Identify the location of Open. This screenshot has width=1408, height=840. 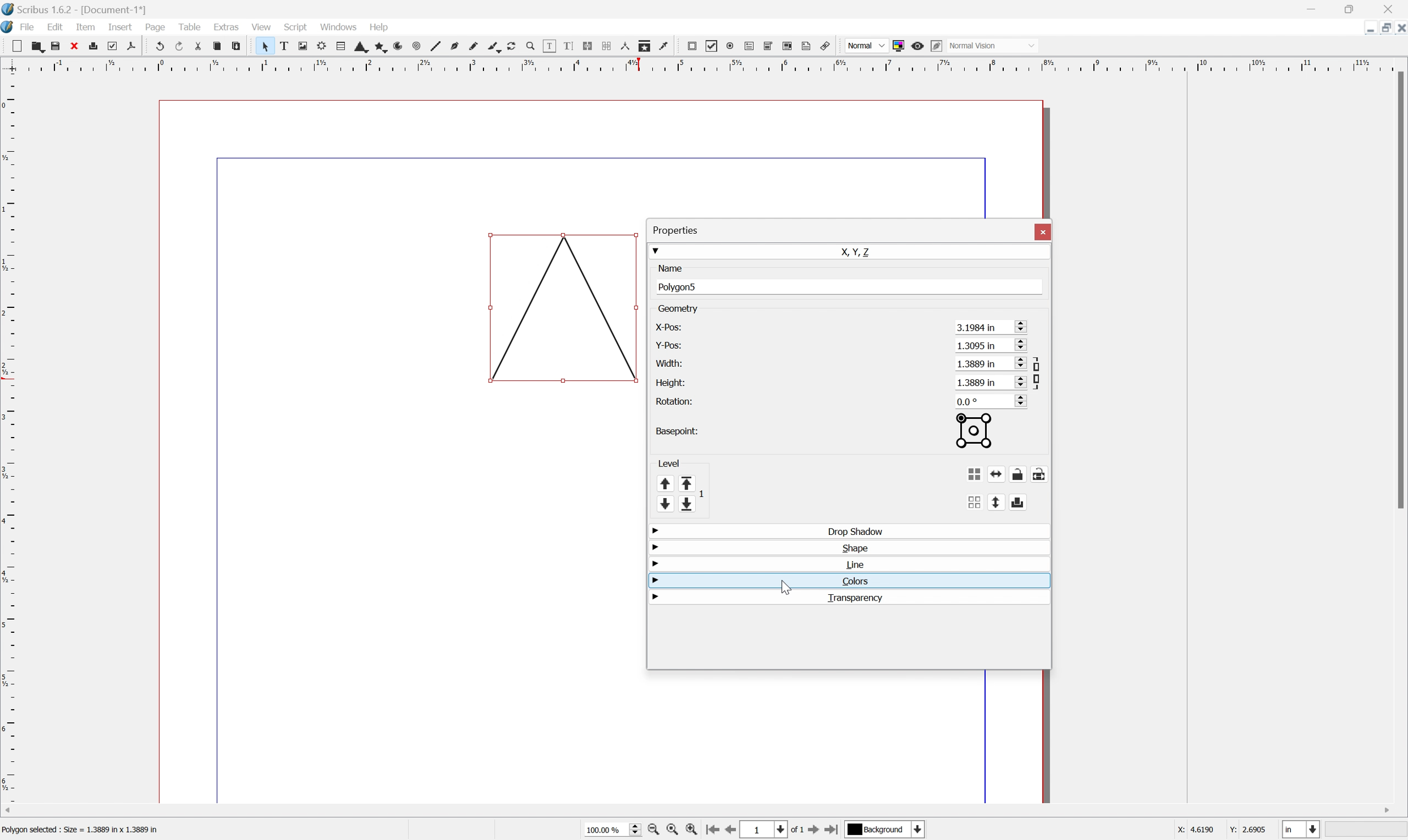
(35, 45).